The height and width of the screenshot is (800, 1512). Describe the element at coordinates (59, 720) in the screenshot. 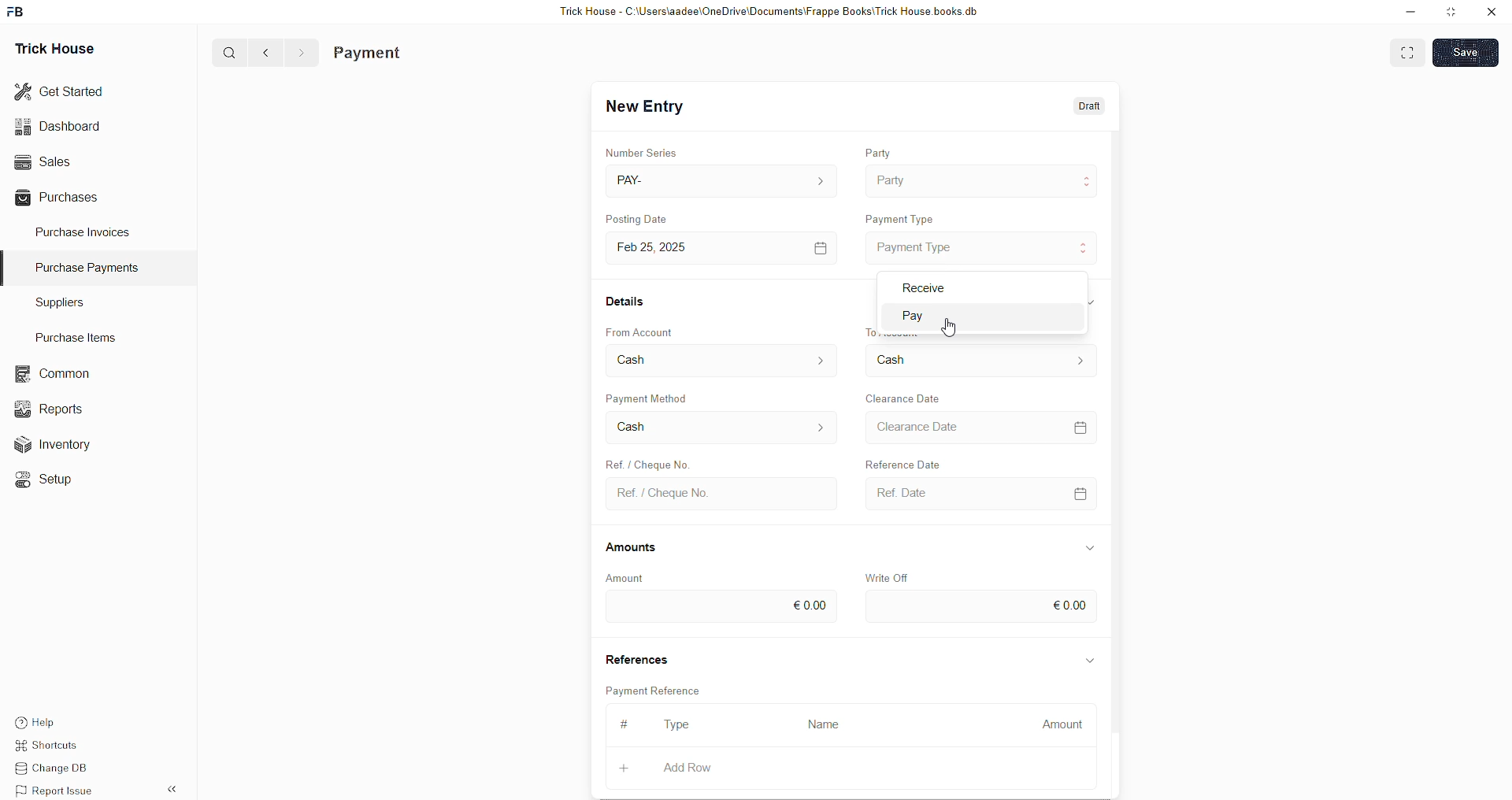

I see ` Help` at that location.